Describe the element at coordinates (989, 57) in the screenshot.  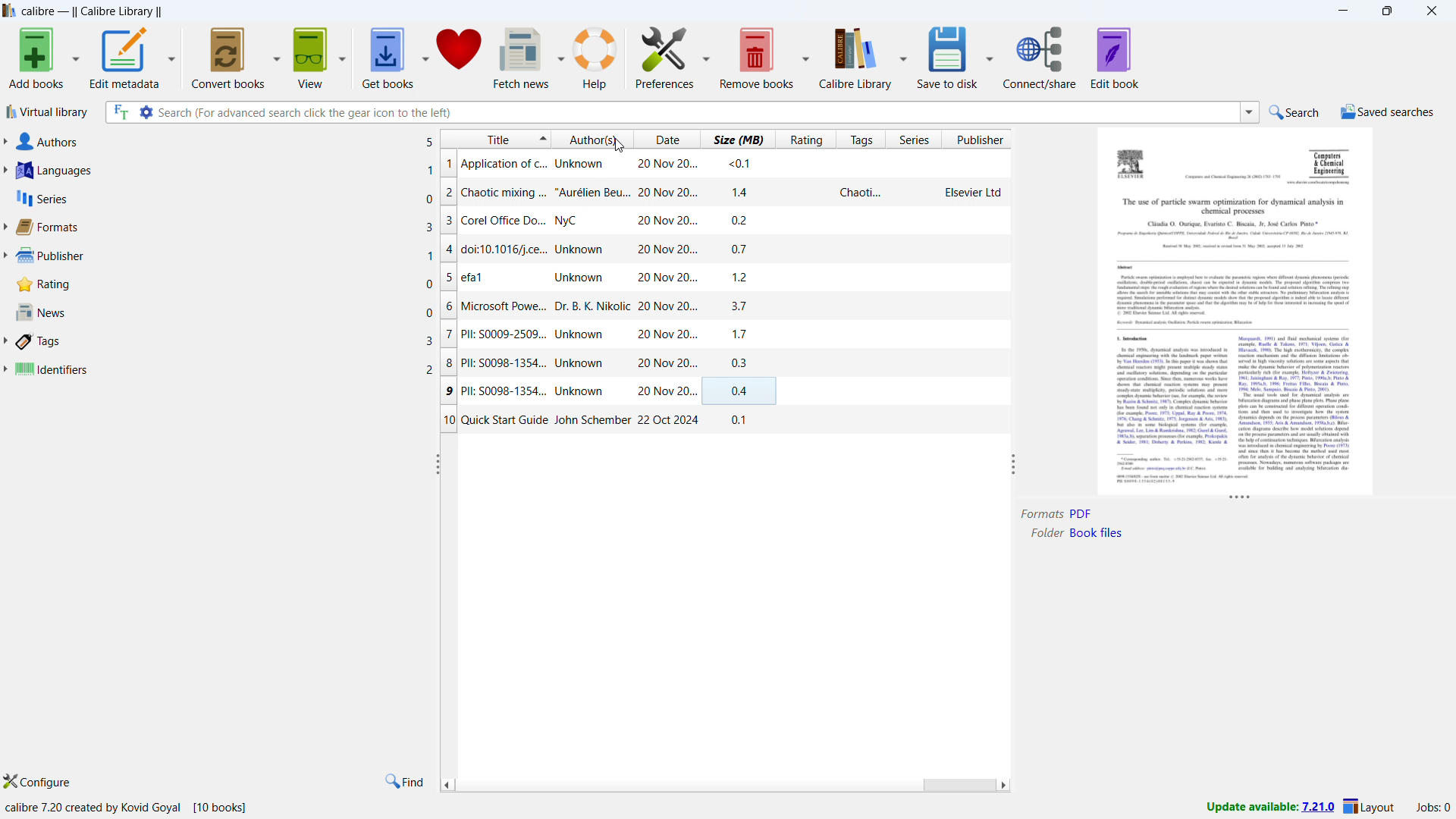
I see `Save to disk options` at that location.